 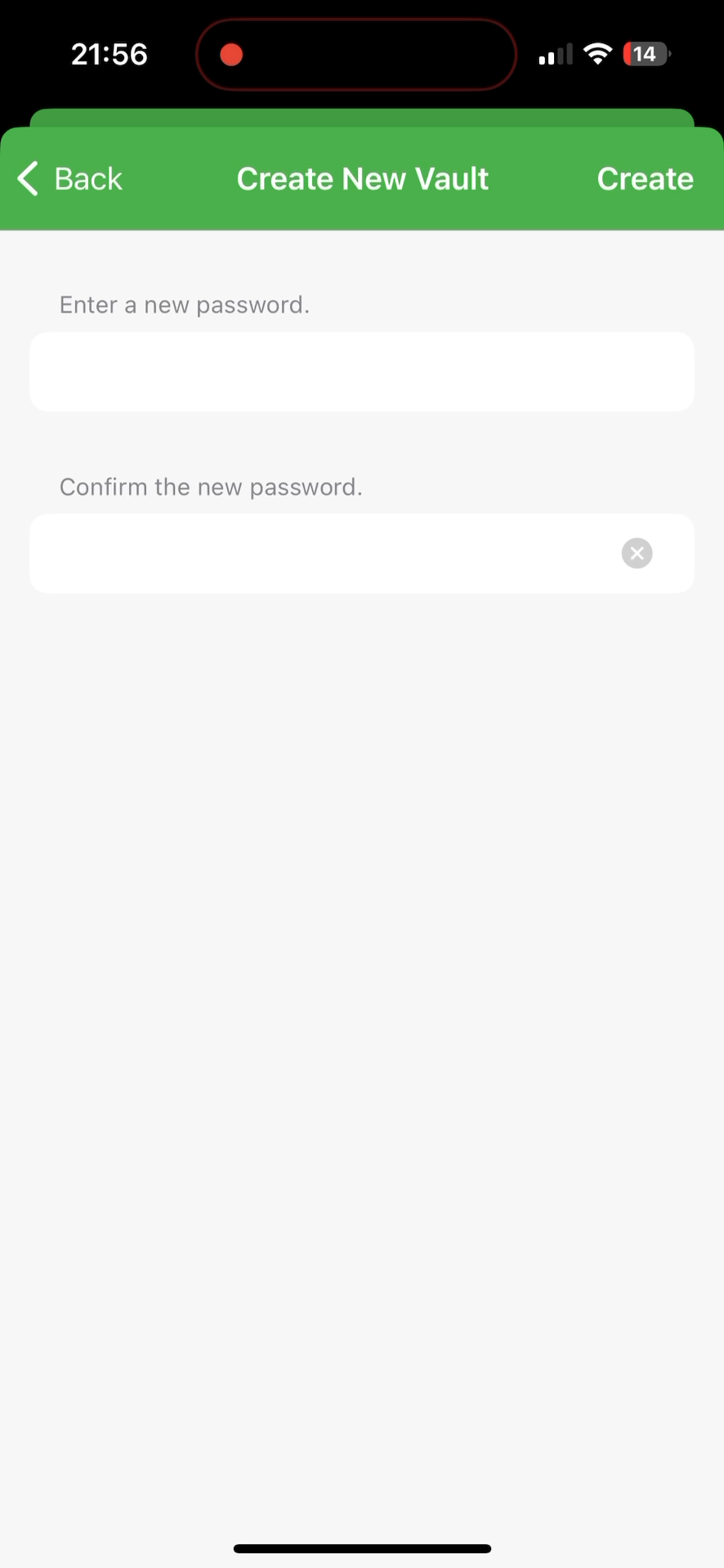 I want to click on create new vault, so click(x=367, y=171).